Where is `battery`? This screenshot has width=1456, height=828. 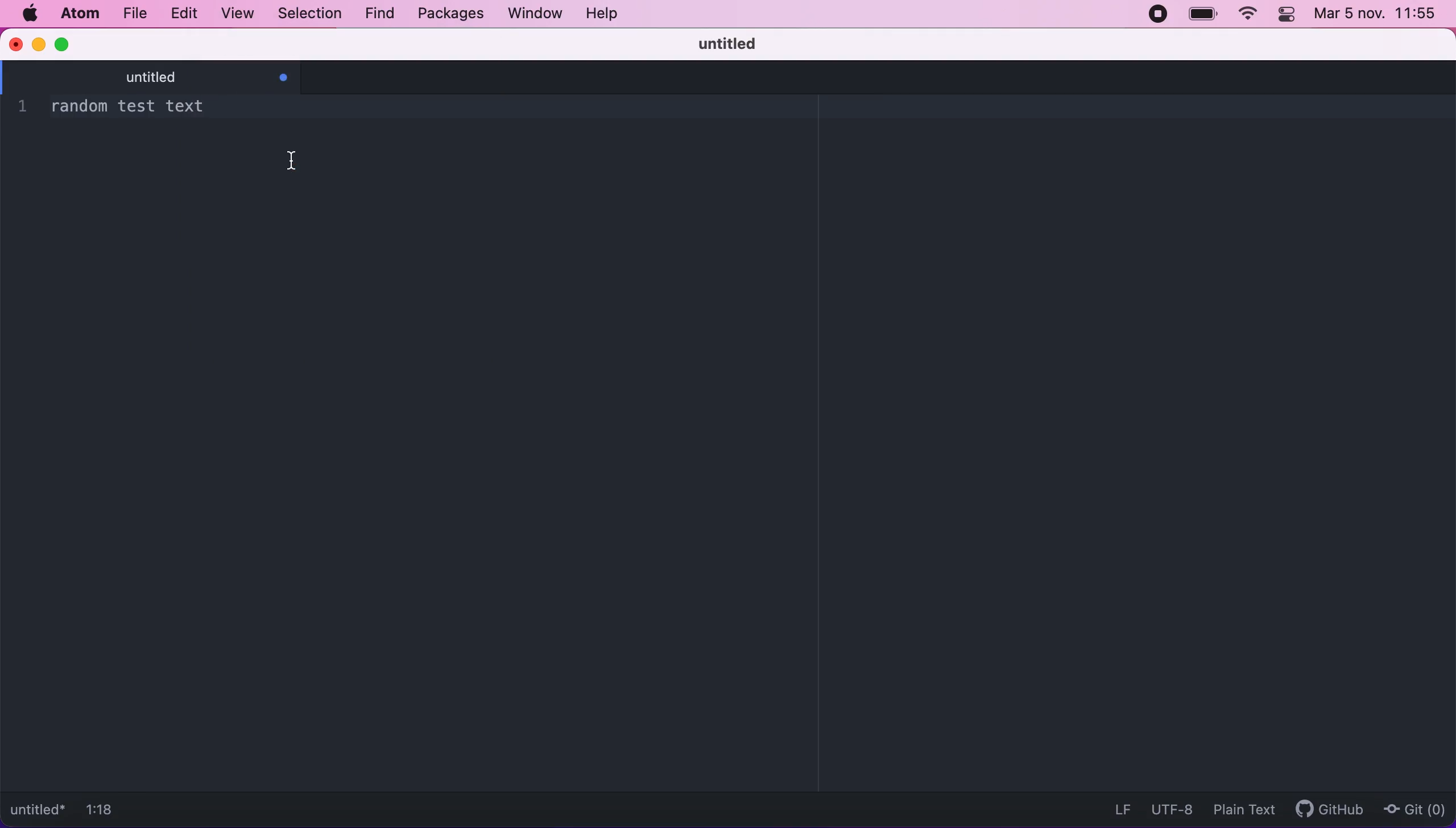 battery is located at coordinates (1198, 18).